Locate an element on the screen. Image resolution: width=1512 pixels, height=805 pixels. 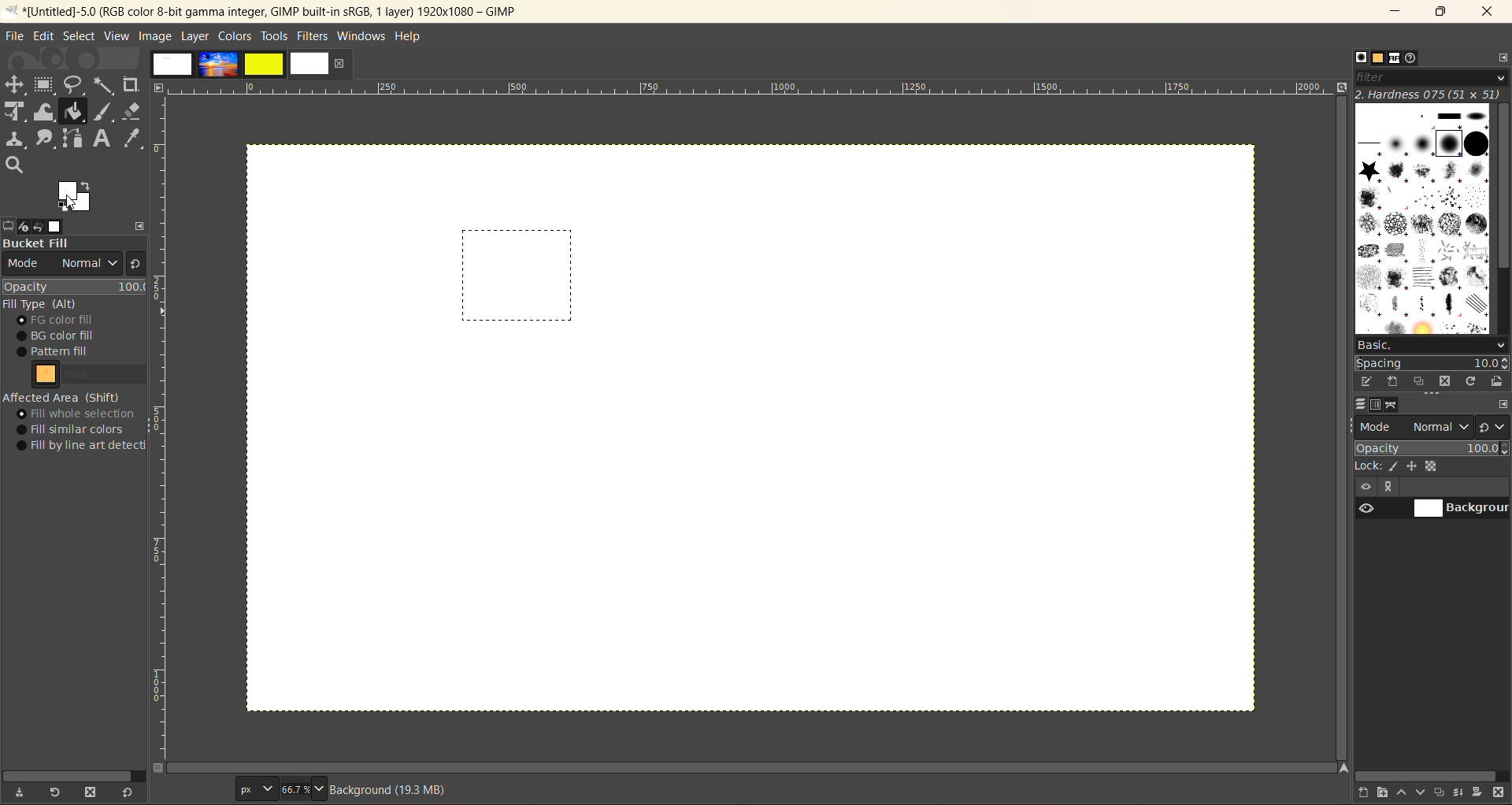
select is located at coordinates (83, 38).